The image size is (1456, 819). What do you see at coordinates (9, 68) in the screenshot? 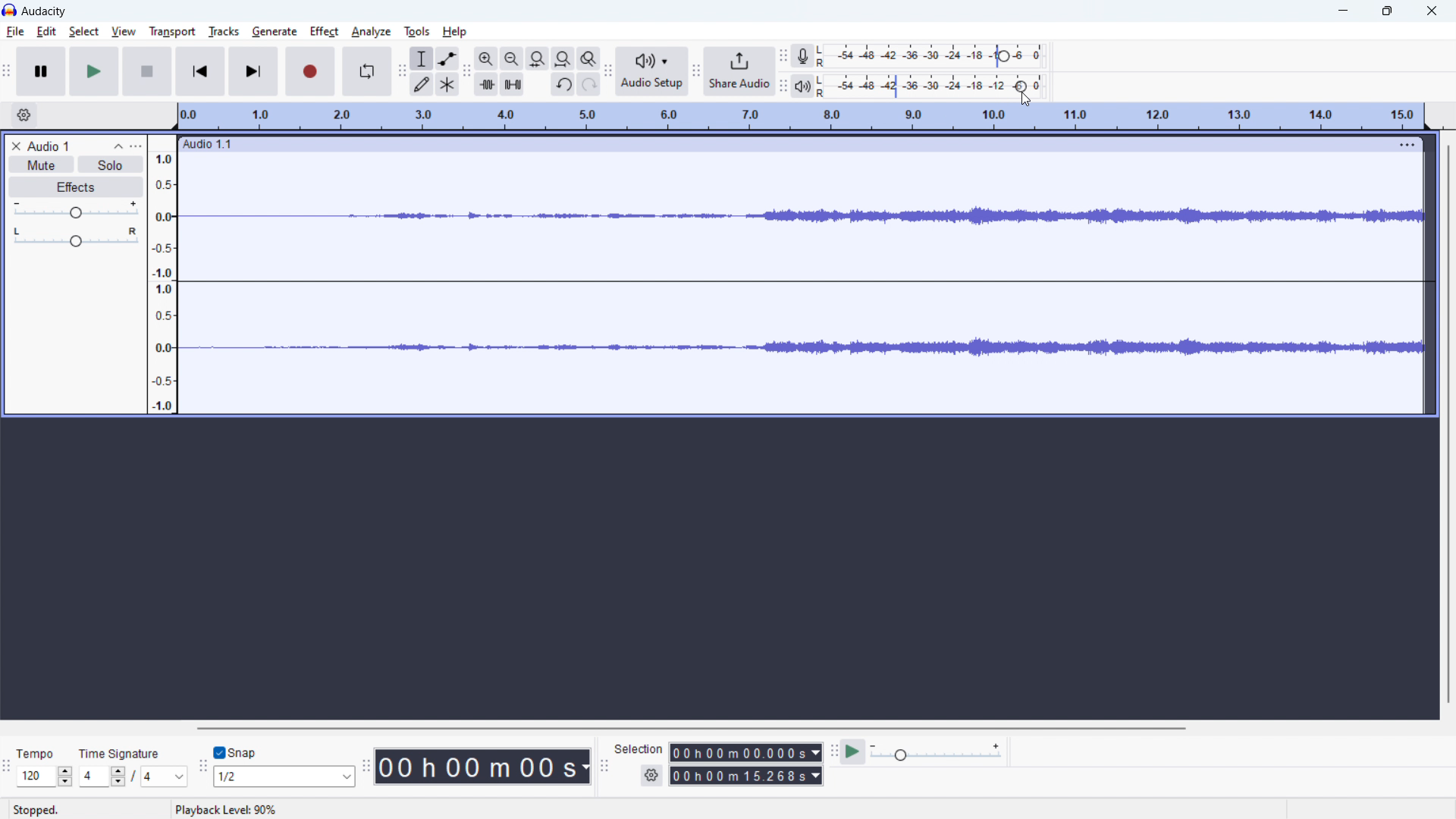
I see `transport toolbar` at bounding box center [9, 68].